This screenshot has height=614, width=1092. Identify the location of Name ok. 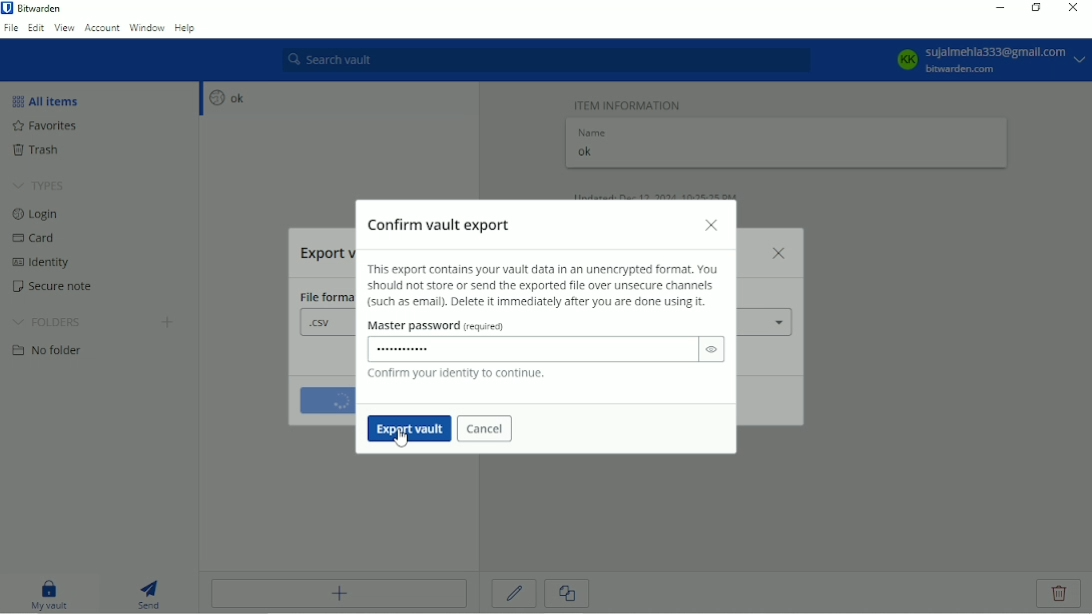
(593, 145).